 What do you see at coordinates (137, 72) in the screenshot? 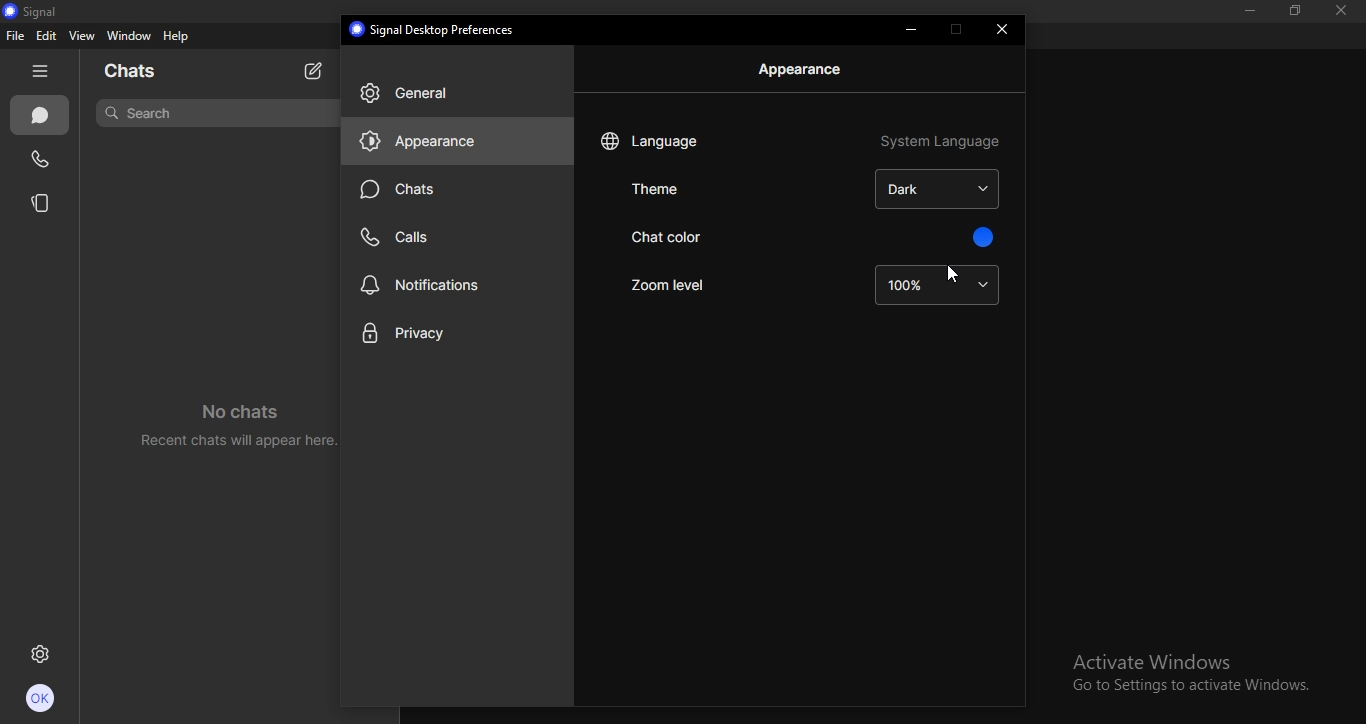
I see `chats` at bounding box center [137, 72].